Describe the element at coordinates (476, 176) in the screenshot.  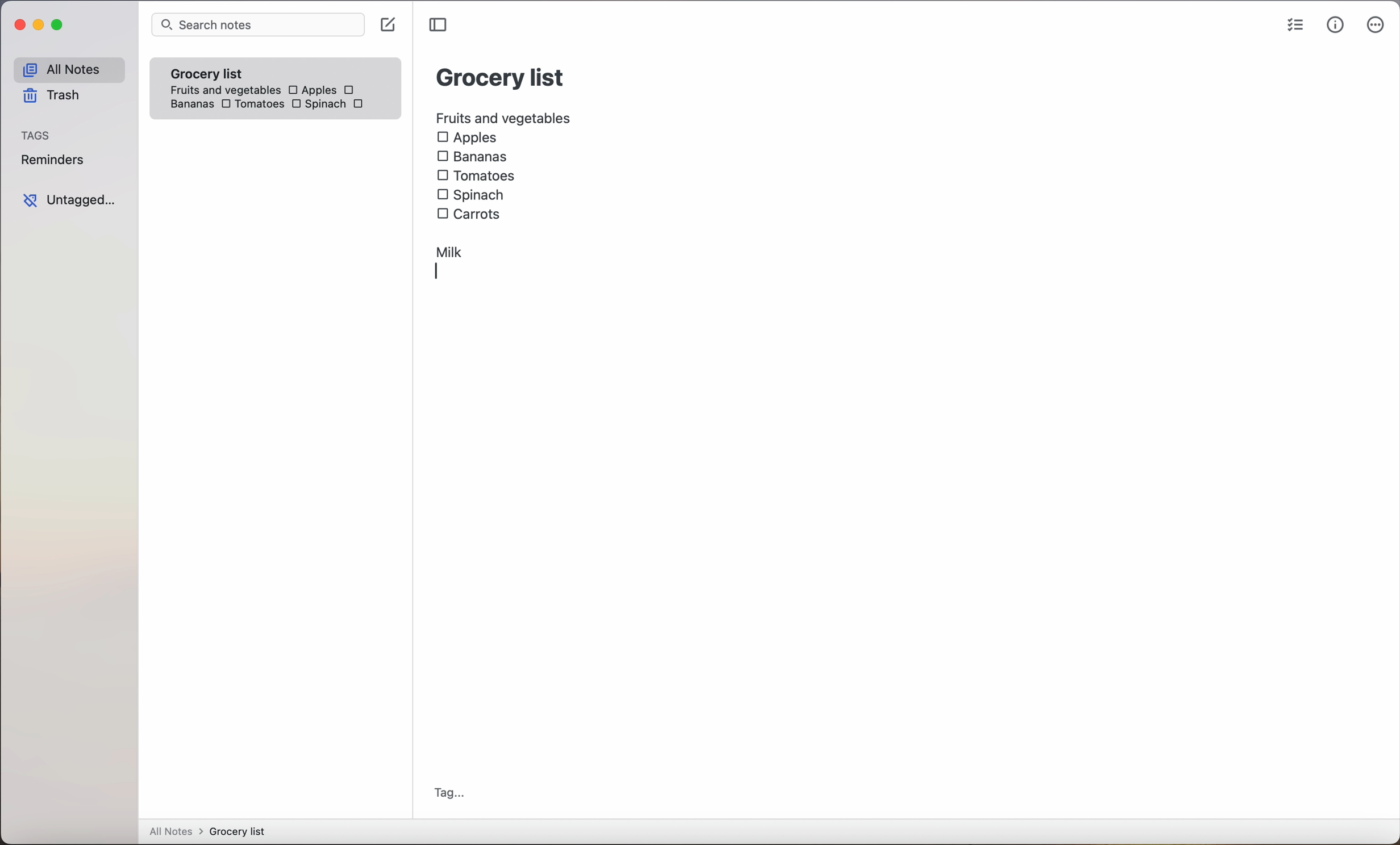
I see `Tomatoes checkbox` at that location.